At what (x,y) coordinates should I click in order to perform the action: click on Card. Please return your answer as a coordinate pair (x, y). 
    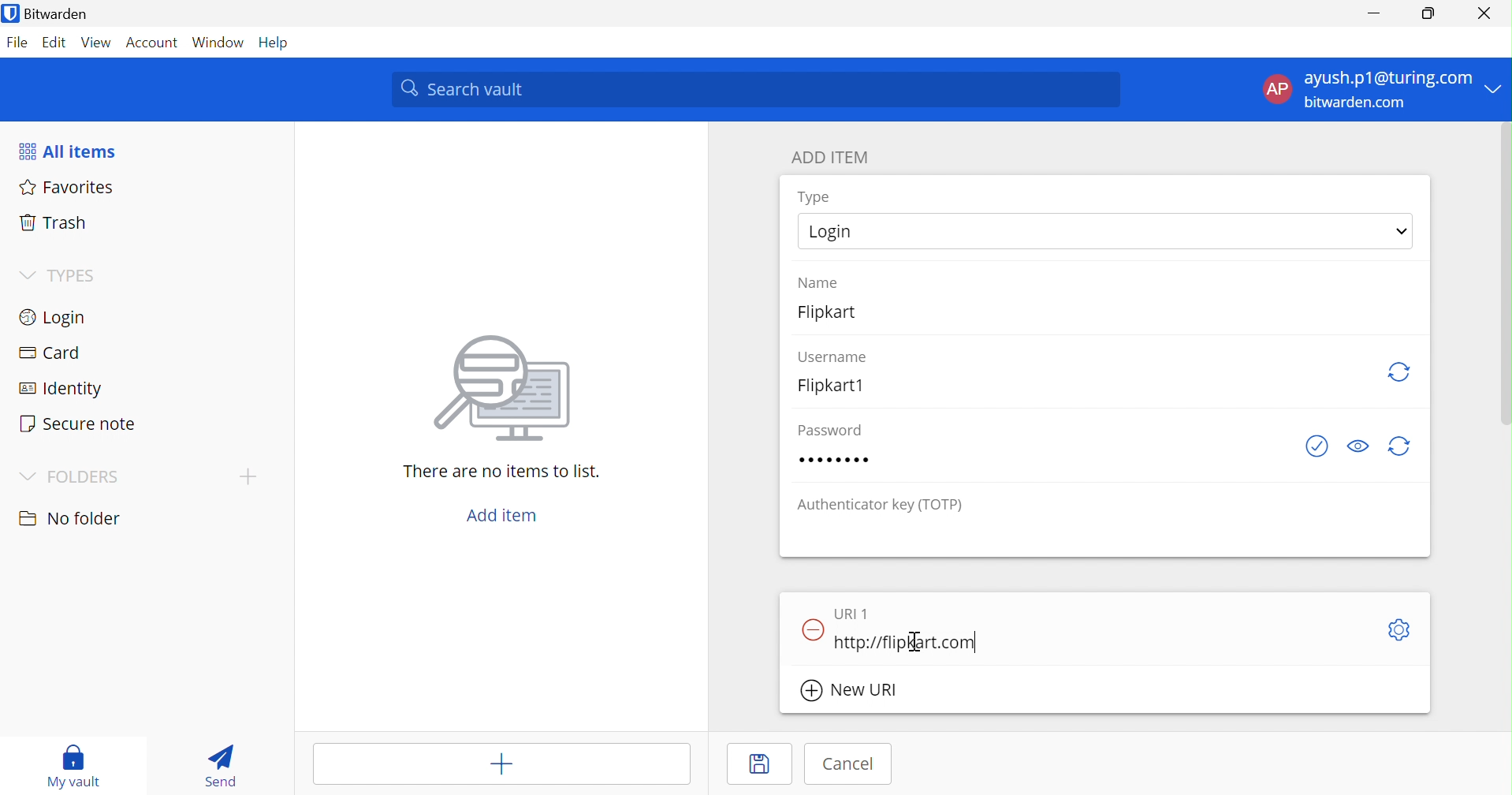
    Looking at the image, I should click on (53, 353).